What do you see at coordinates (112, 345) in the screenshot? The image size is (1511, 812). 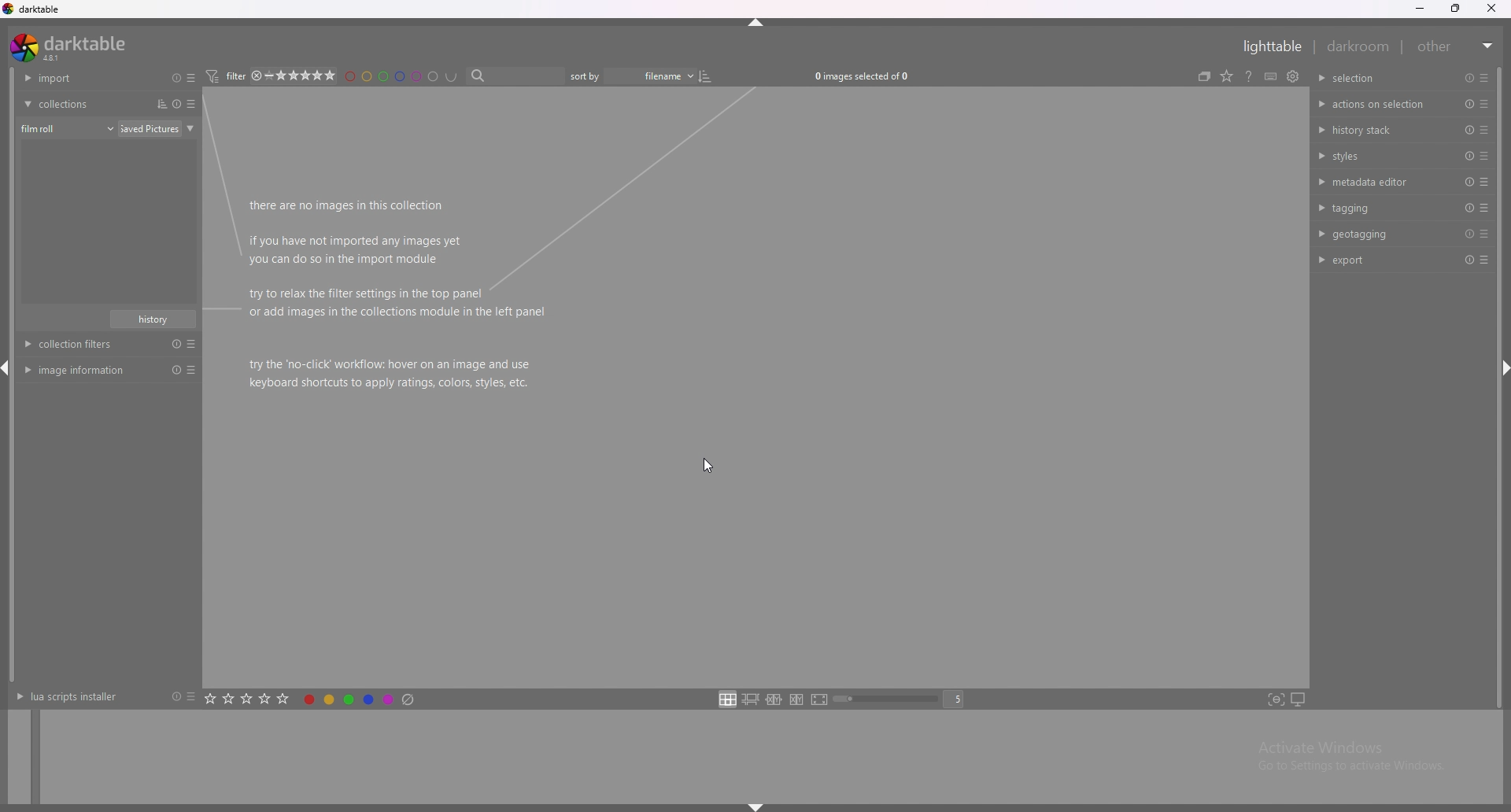 I see `Collection filters` at bounding box center [112, 345].